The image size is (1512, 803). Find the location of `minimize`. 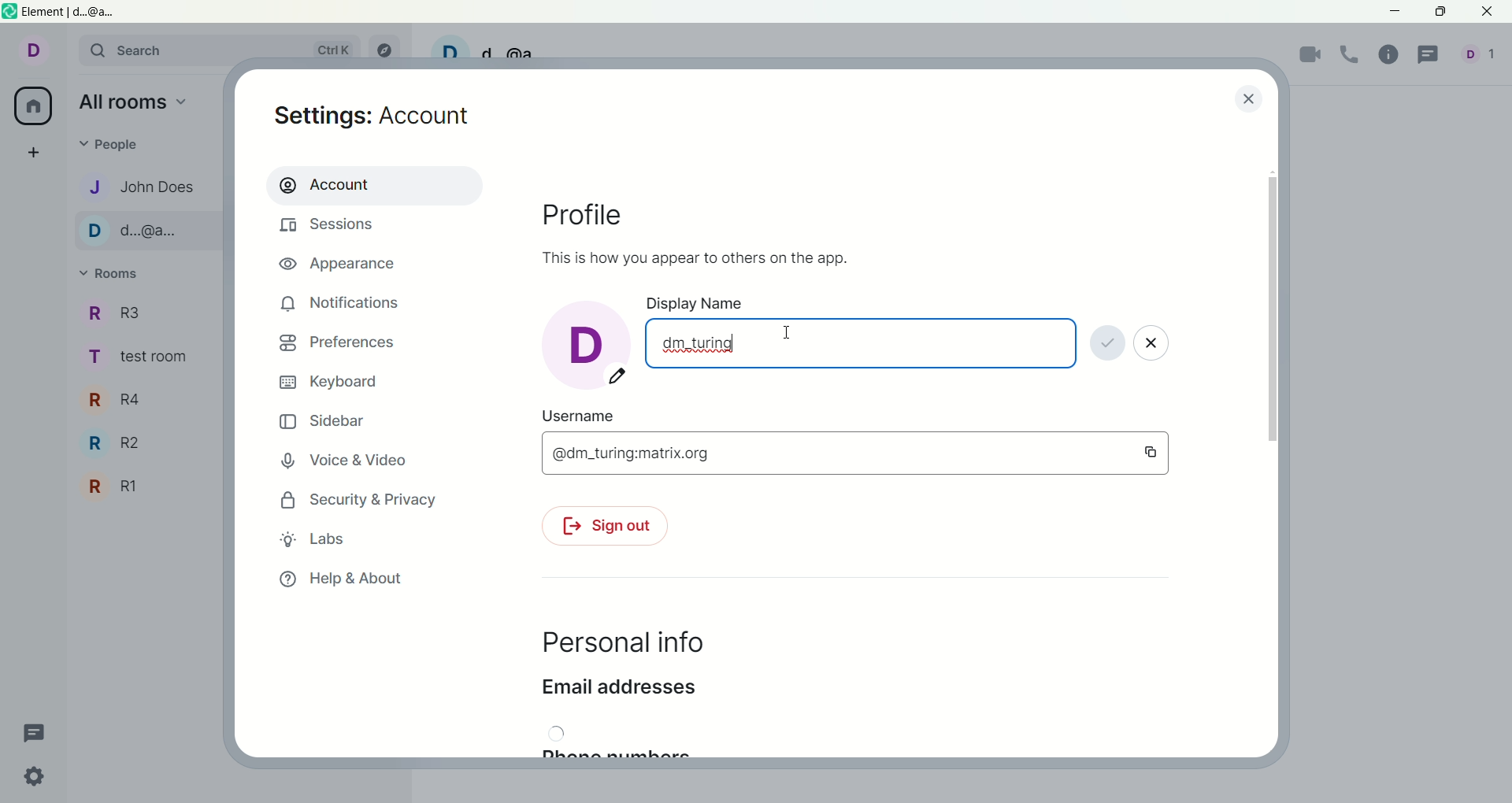

minimize is located at coordinates (1396, 13).